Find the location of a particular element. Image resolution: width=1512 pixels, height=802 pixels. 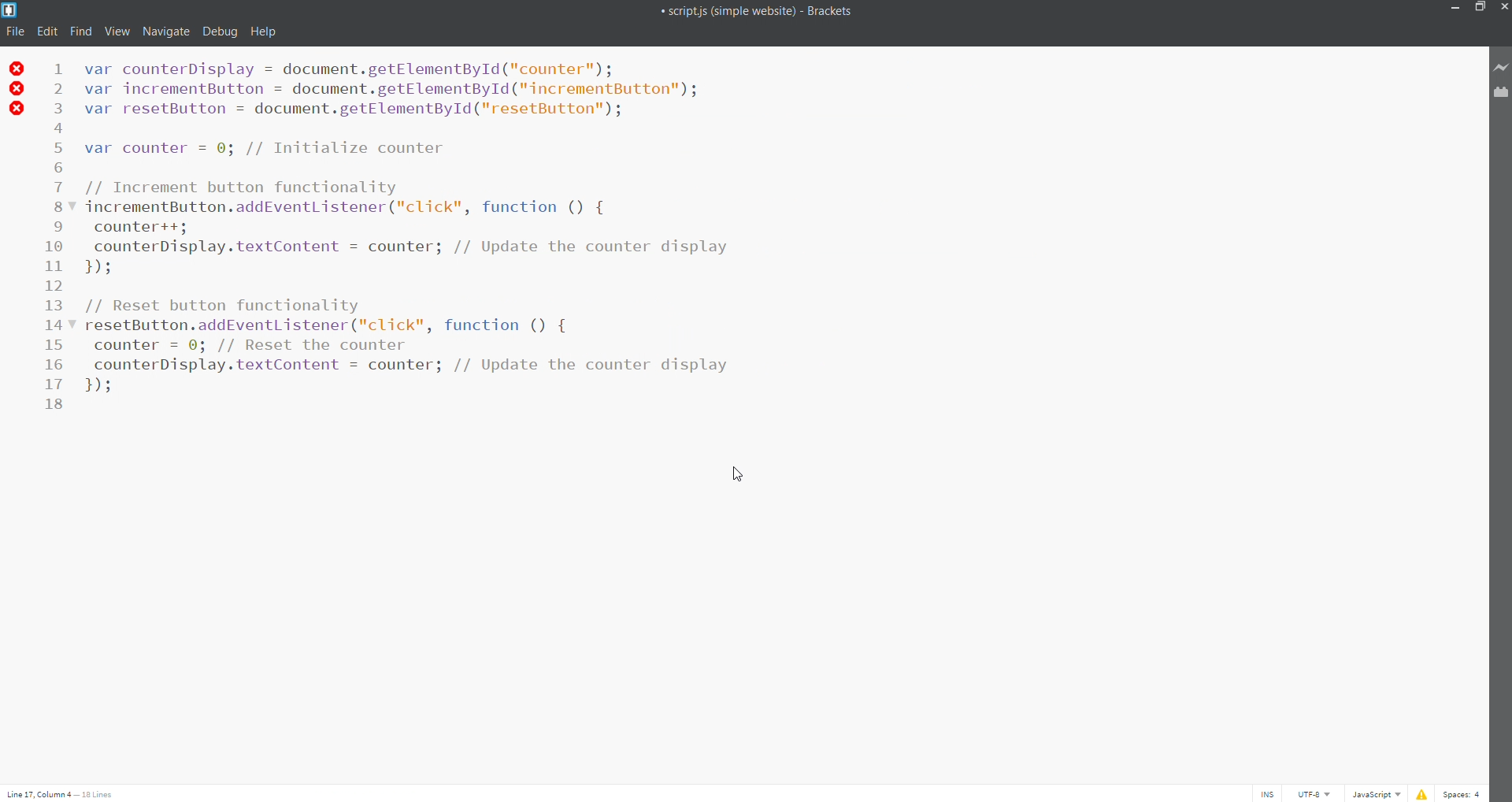

find is located at coordinates (81, 32).